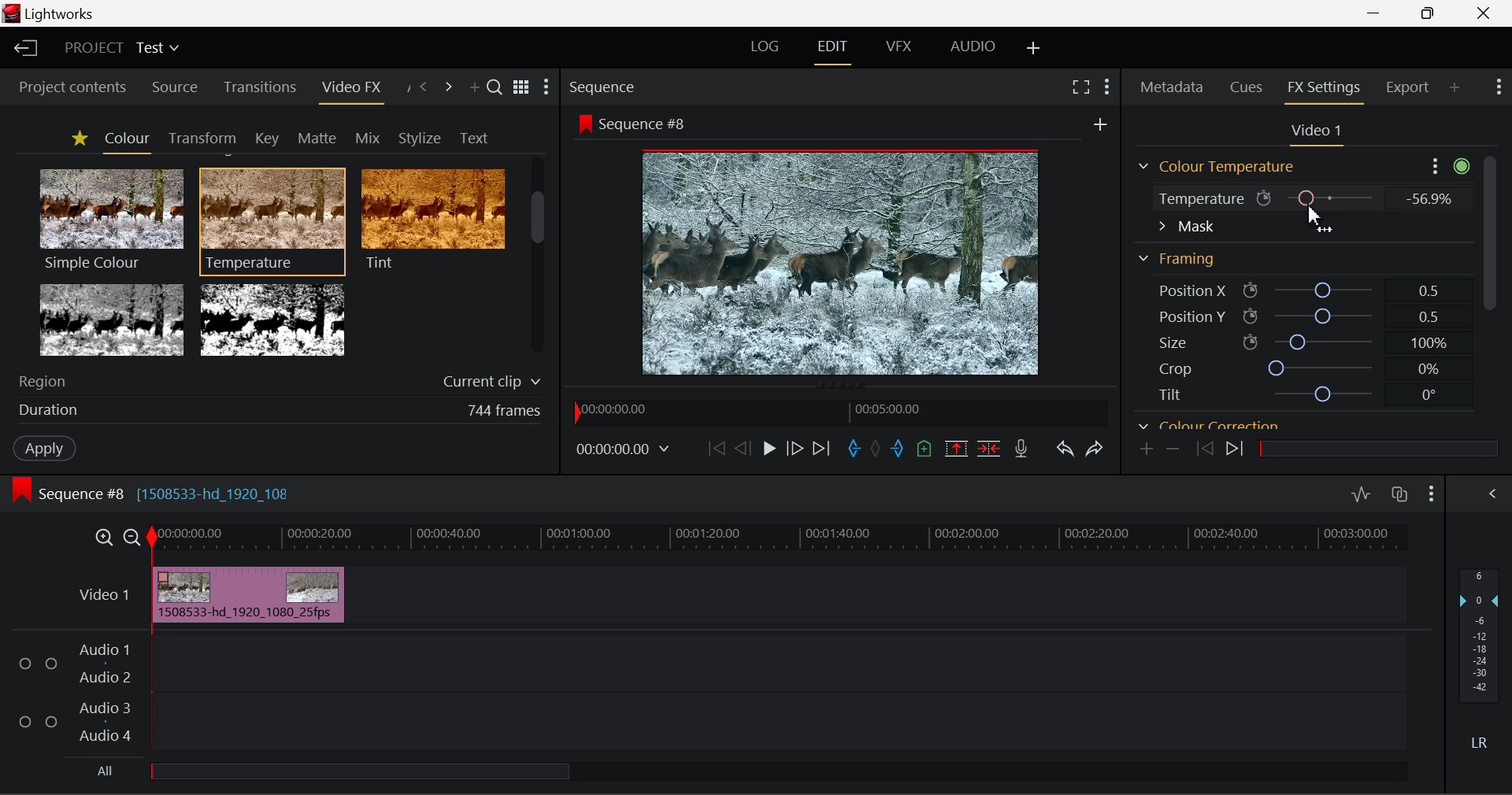 The width and height of the screenshot is (1512, 795). What do you see at coordinates (199, 137) in the screenshot?
I see `Transform` at bounding box center [199, 137].